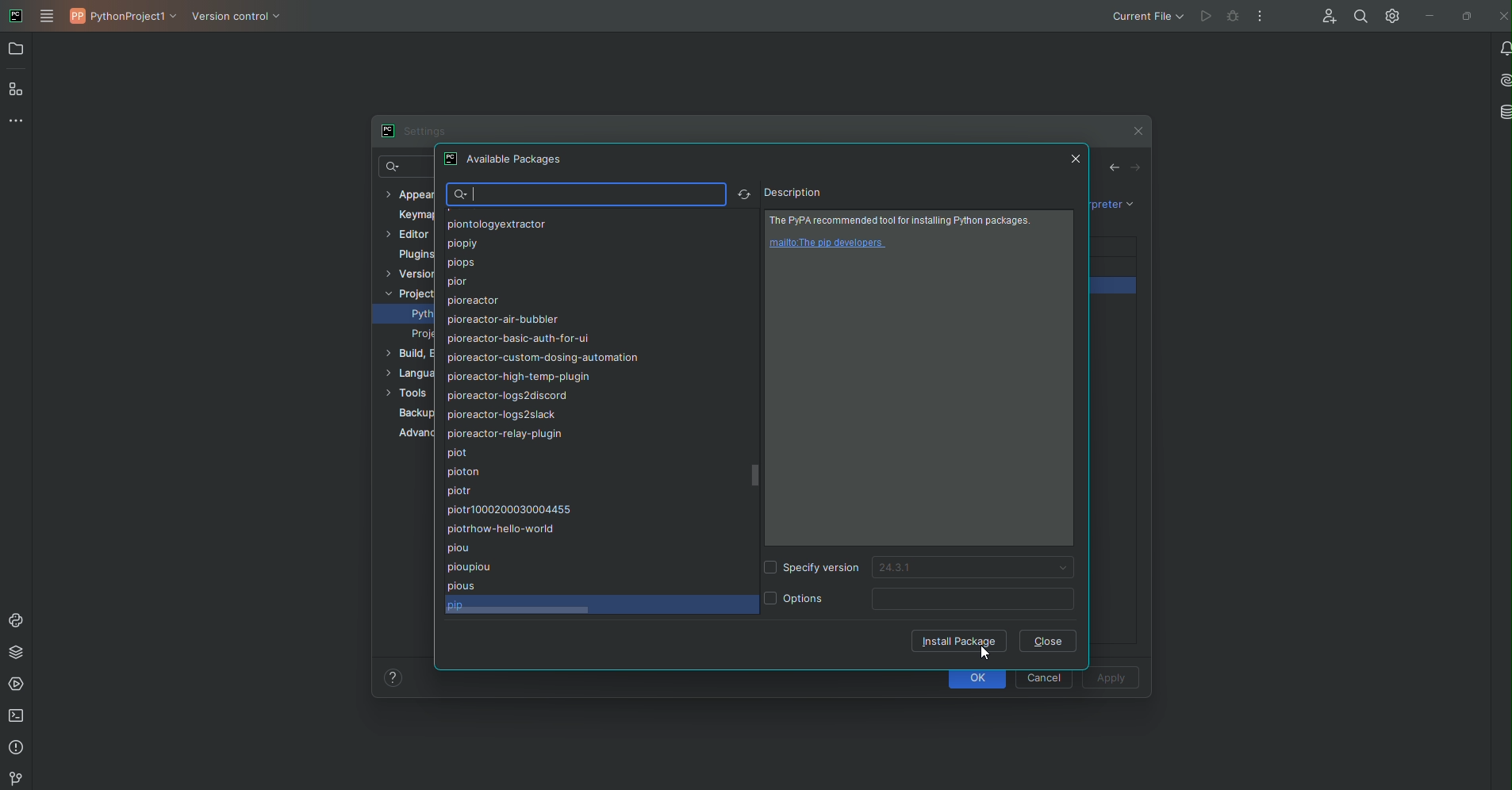  Describe the element at coordinates (409, 393) in the screenshot. I see `Tools` at that location.